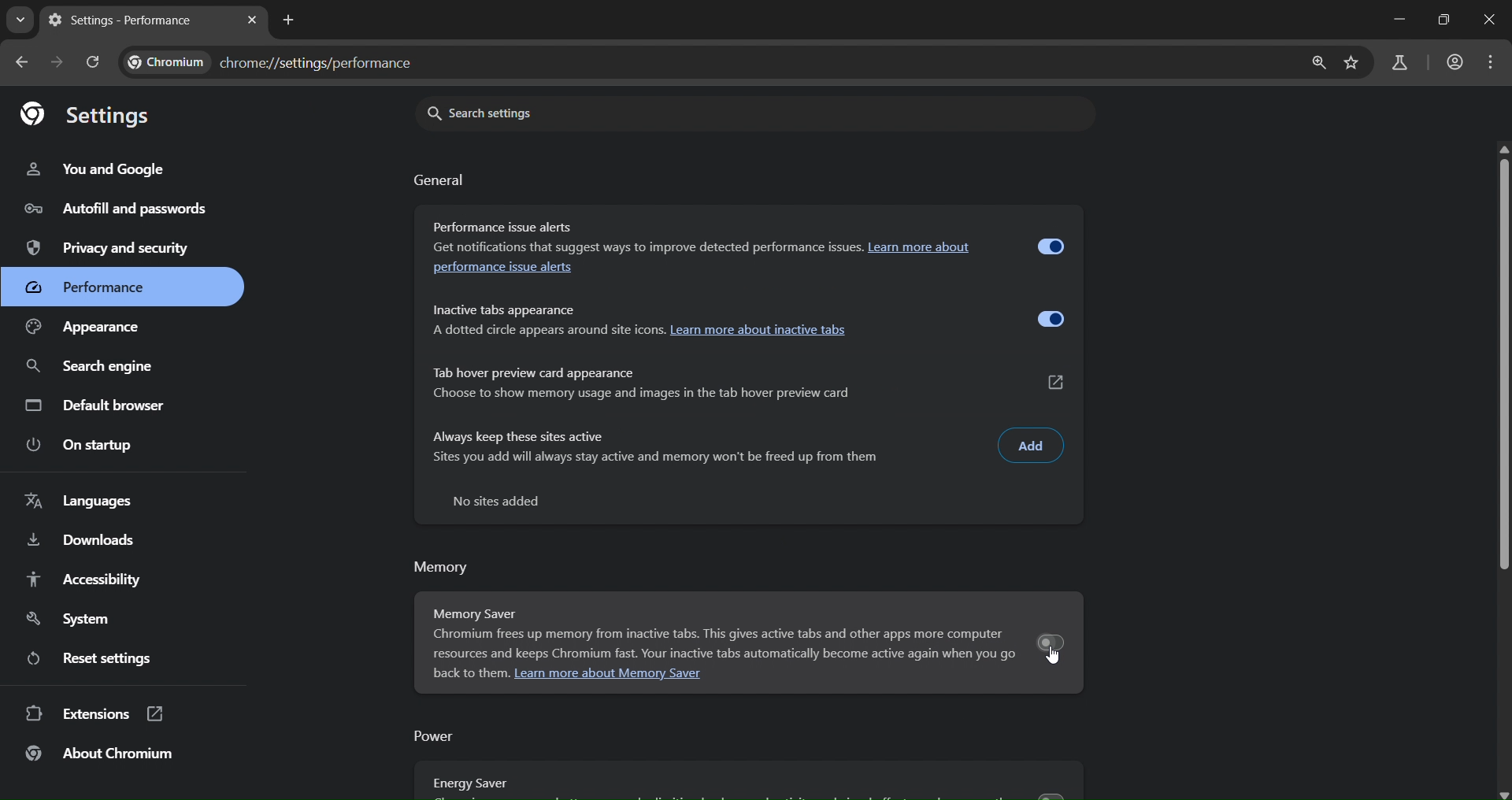  I want to click on extensions, so click(95, 714).